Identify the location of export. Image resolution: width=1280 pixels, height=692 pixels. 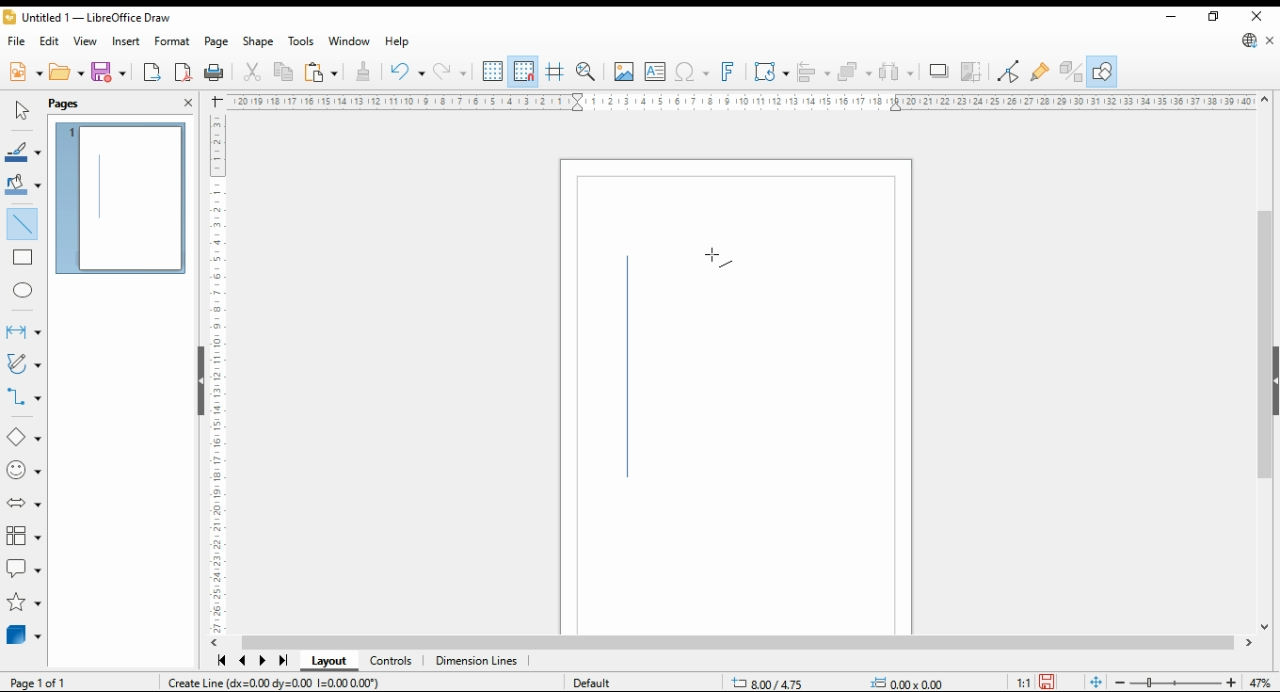
(153, 73).